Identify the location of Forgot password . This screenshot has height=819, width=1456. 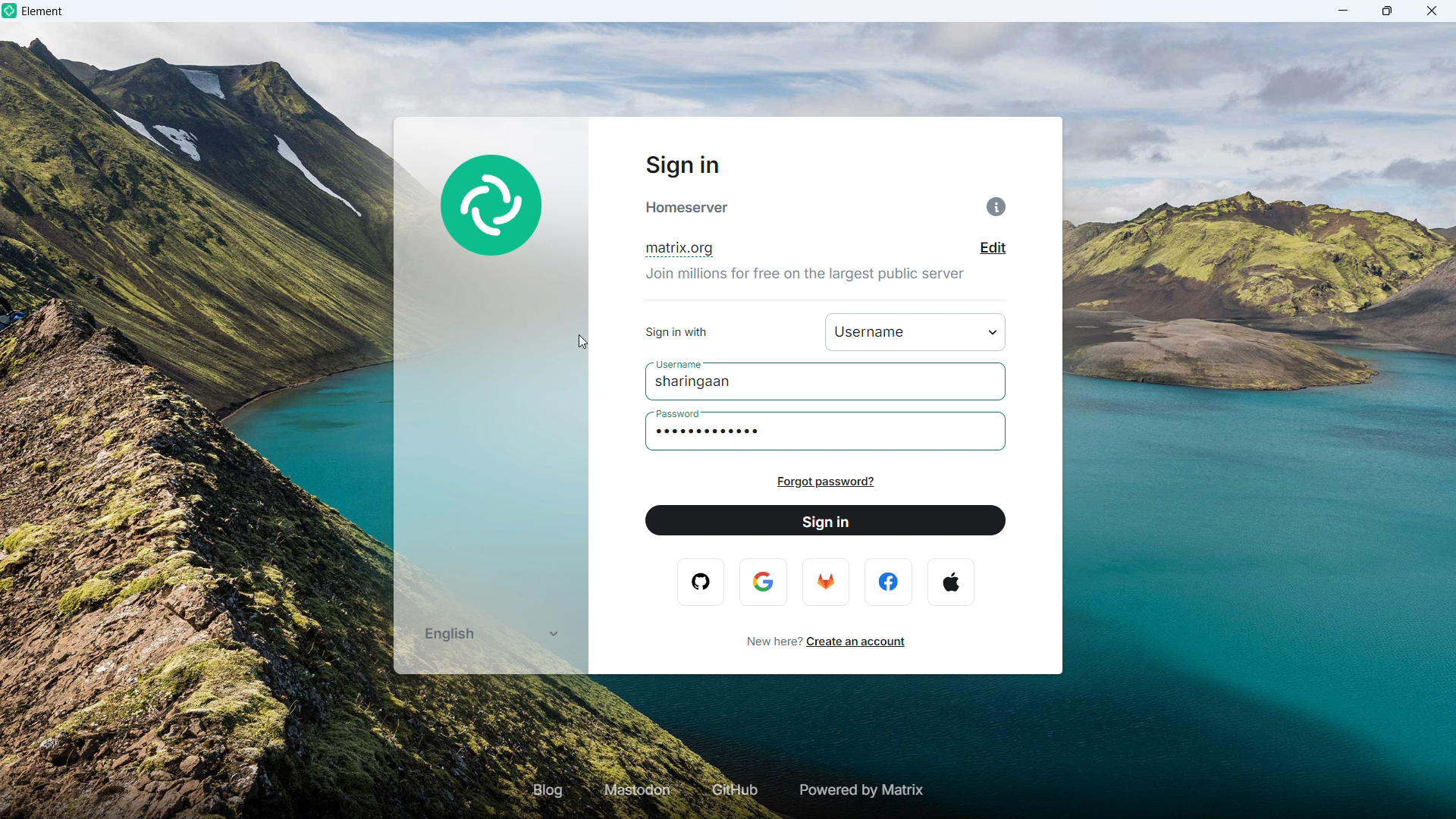
(825, 482).